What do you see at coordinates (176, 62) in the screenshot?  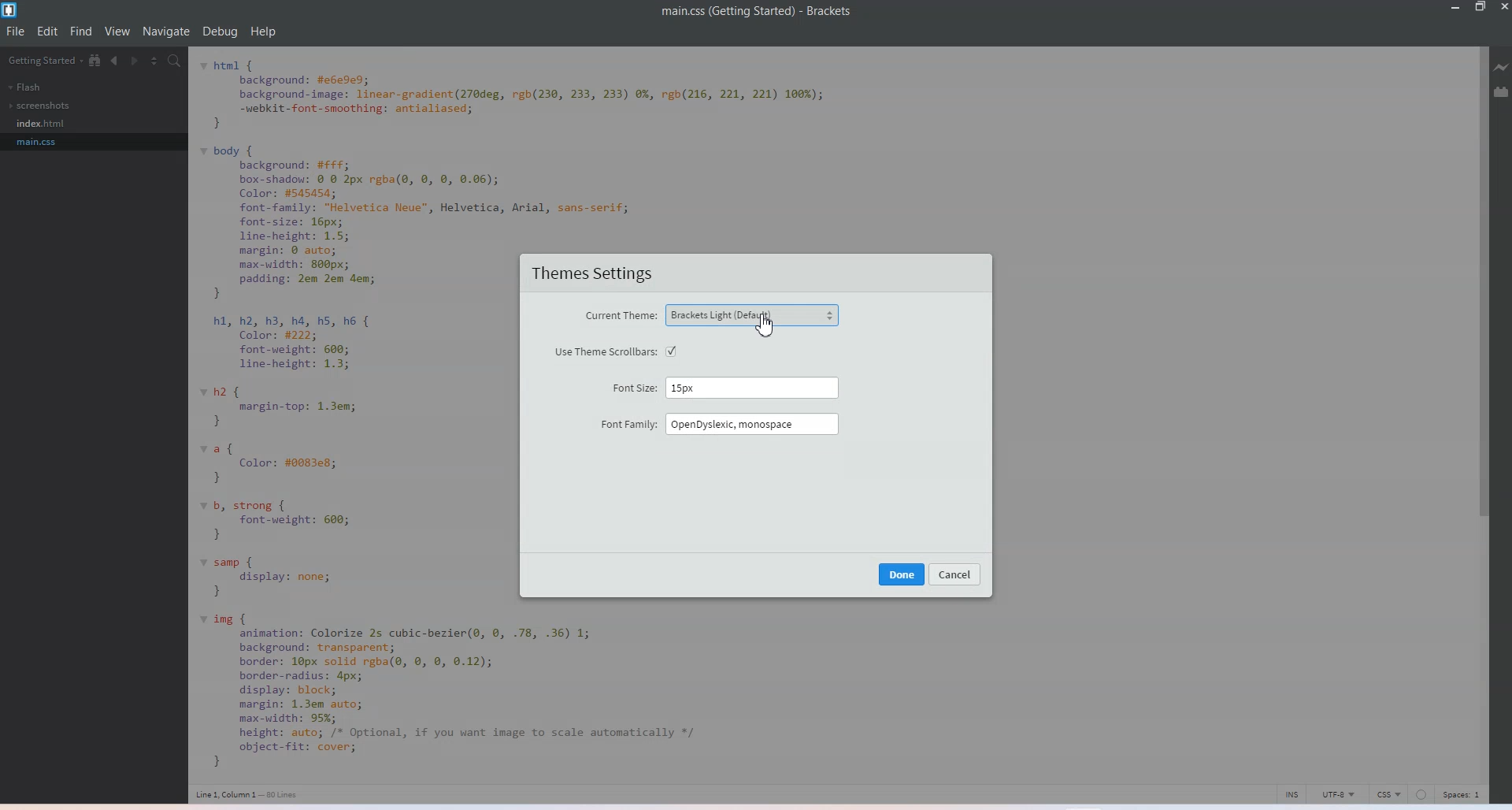 I see `Find in files` at bounding box center [176, 62].